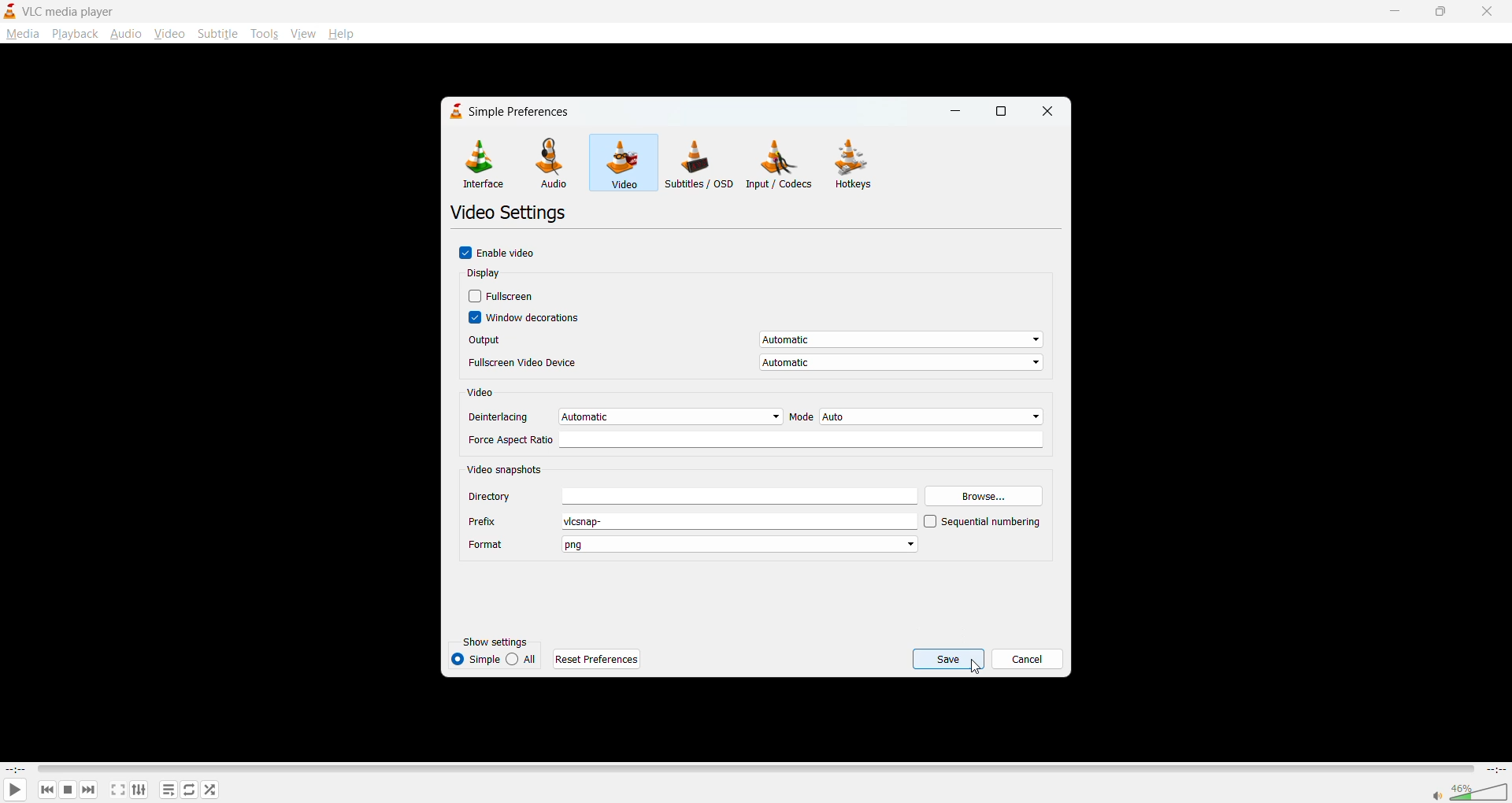  What do you see at coordinates (1026, 657) in the screenshot?
I see `cancel` at bounding box center [1026, 657].